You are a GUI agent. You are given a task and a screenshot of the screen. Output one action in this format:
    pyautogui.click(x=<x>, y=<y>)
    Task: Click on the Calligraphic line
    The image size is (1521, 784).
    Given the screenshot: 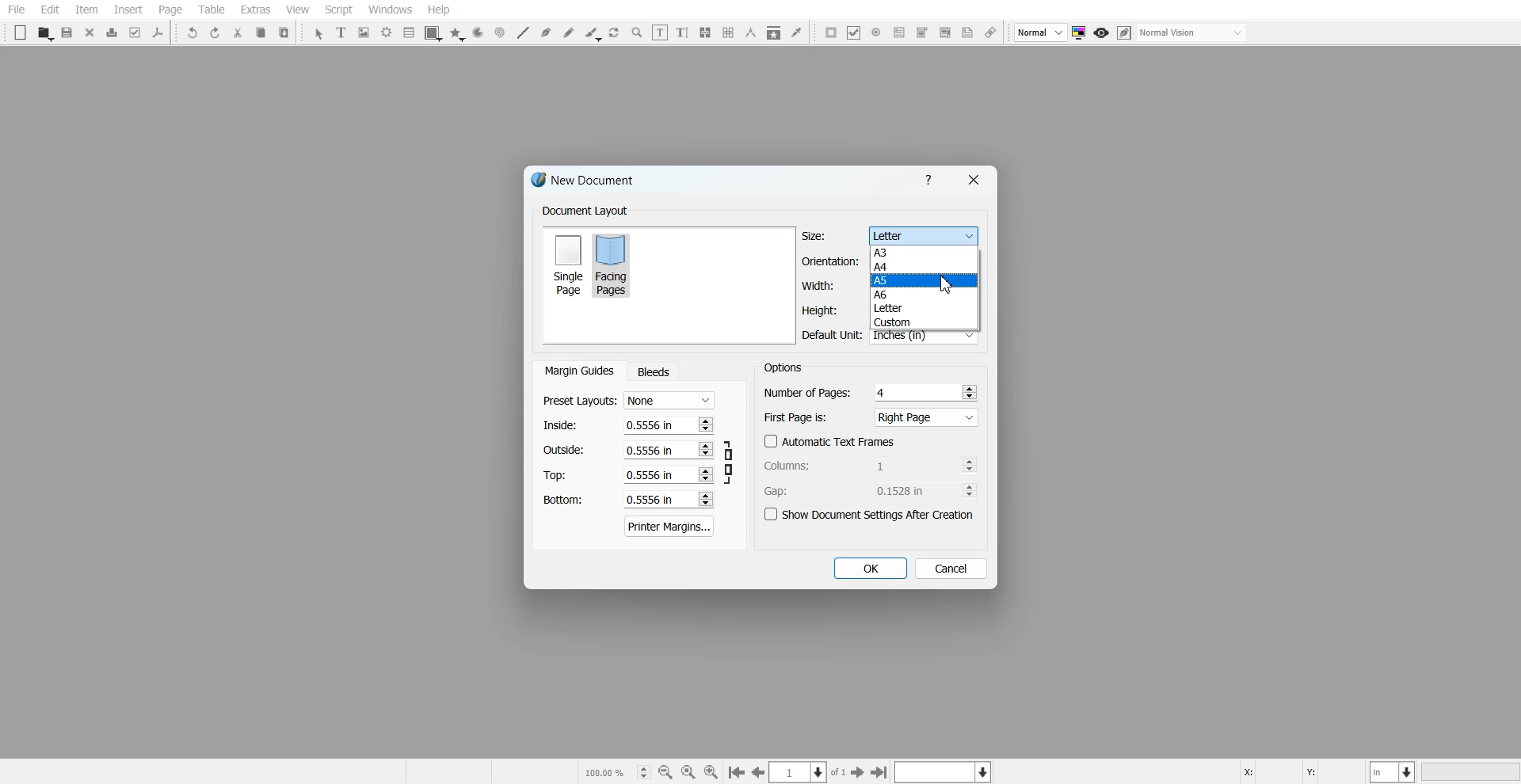 What is the action you would take?
    pyautogui.click(x=593, y=34)
    